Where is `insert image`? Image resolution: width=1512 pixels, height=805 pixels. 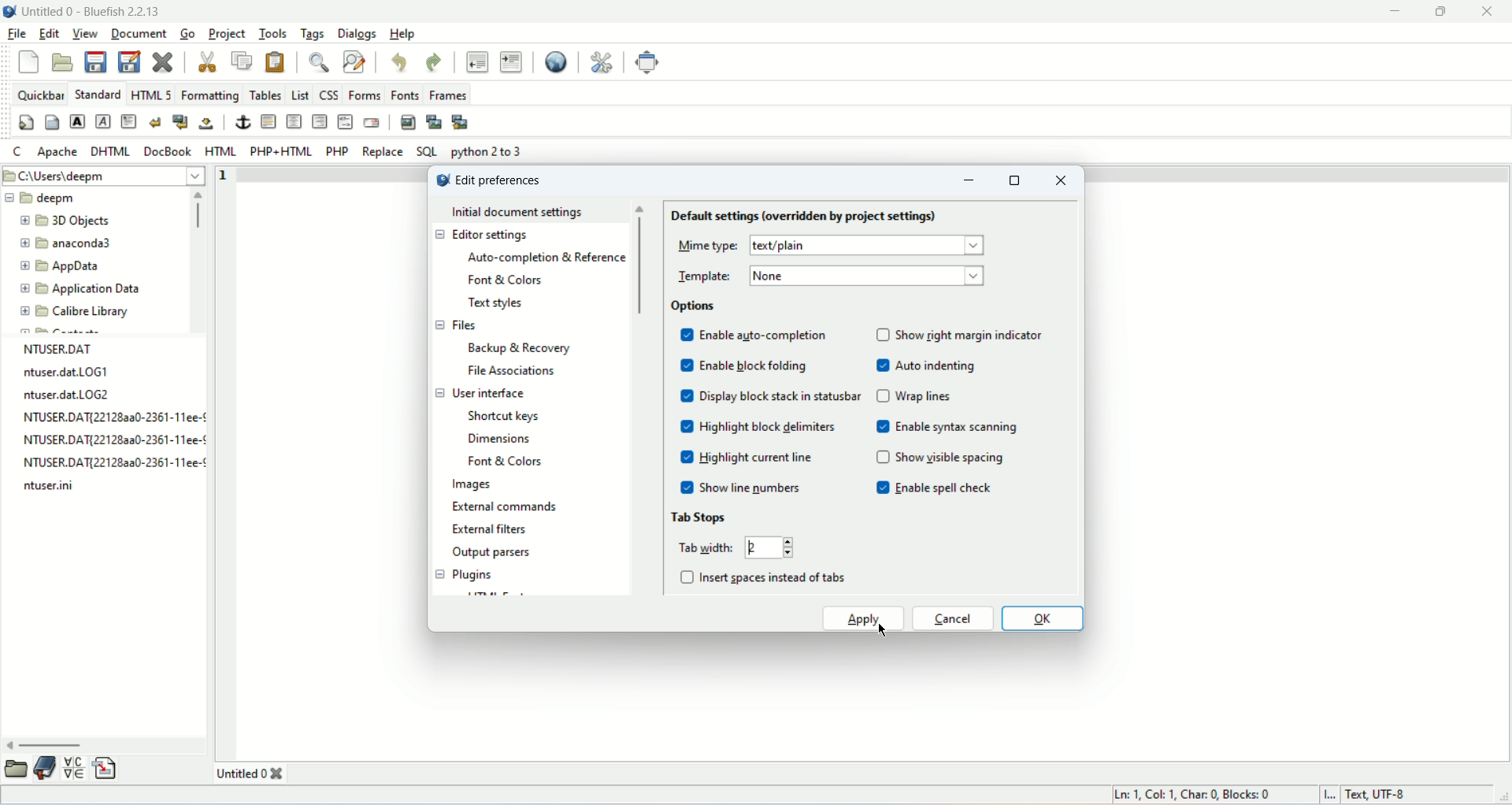
insert image is located at coordinates (407, 121).